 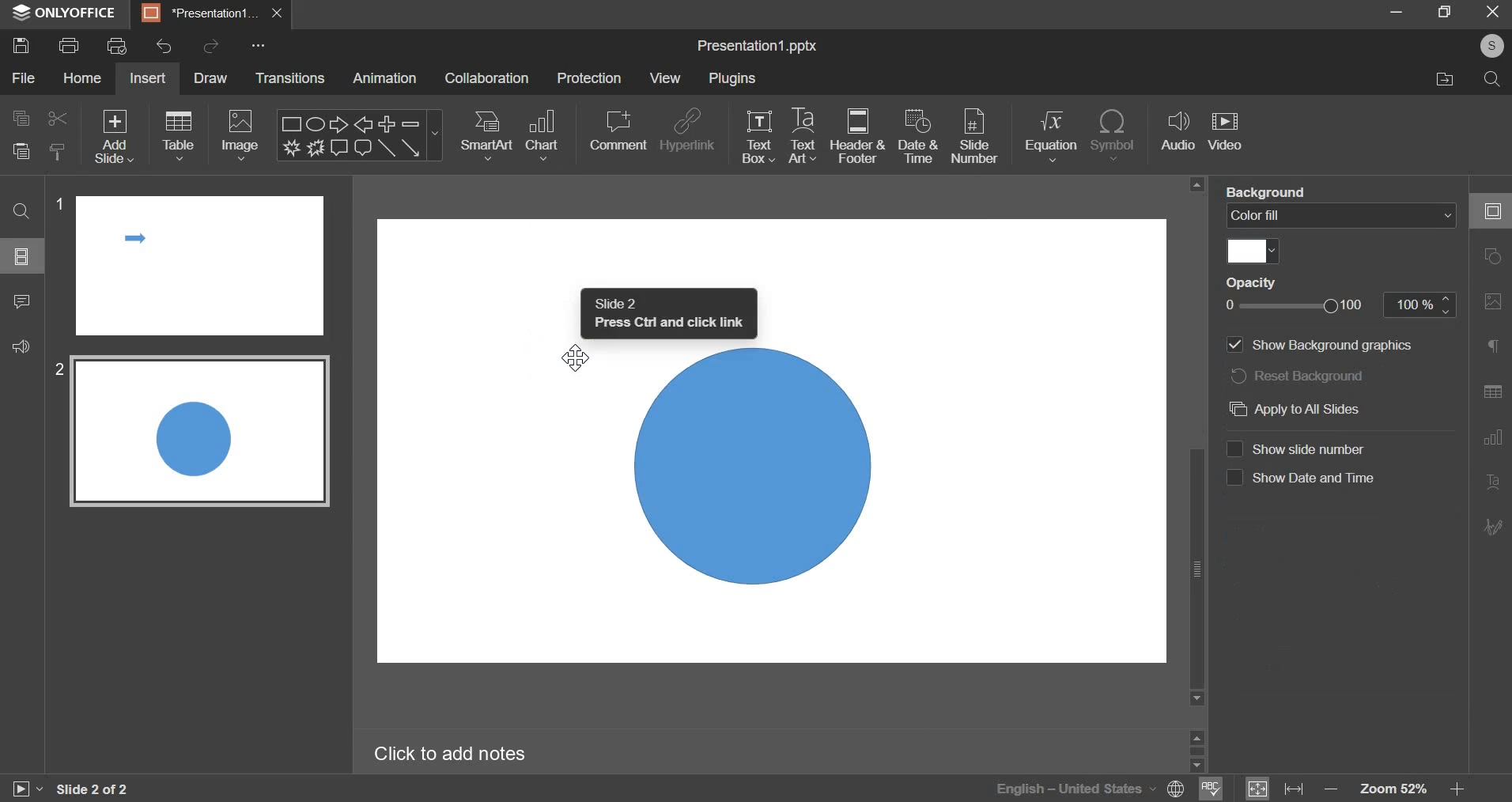 What do you see at coordinates (22, 46) in the screenshot?
I see `save` at bounding box center [22, 46].